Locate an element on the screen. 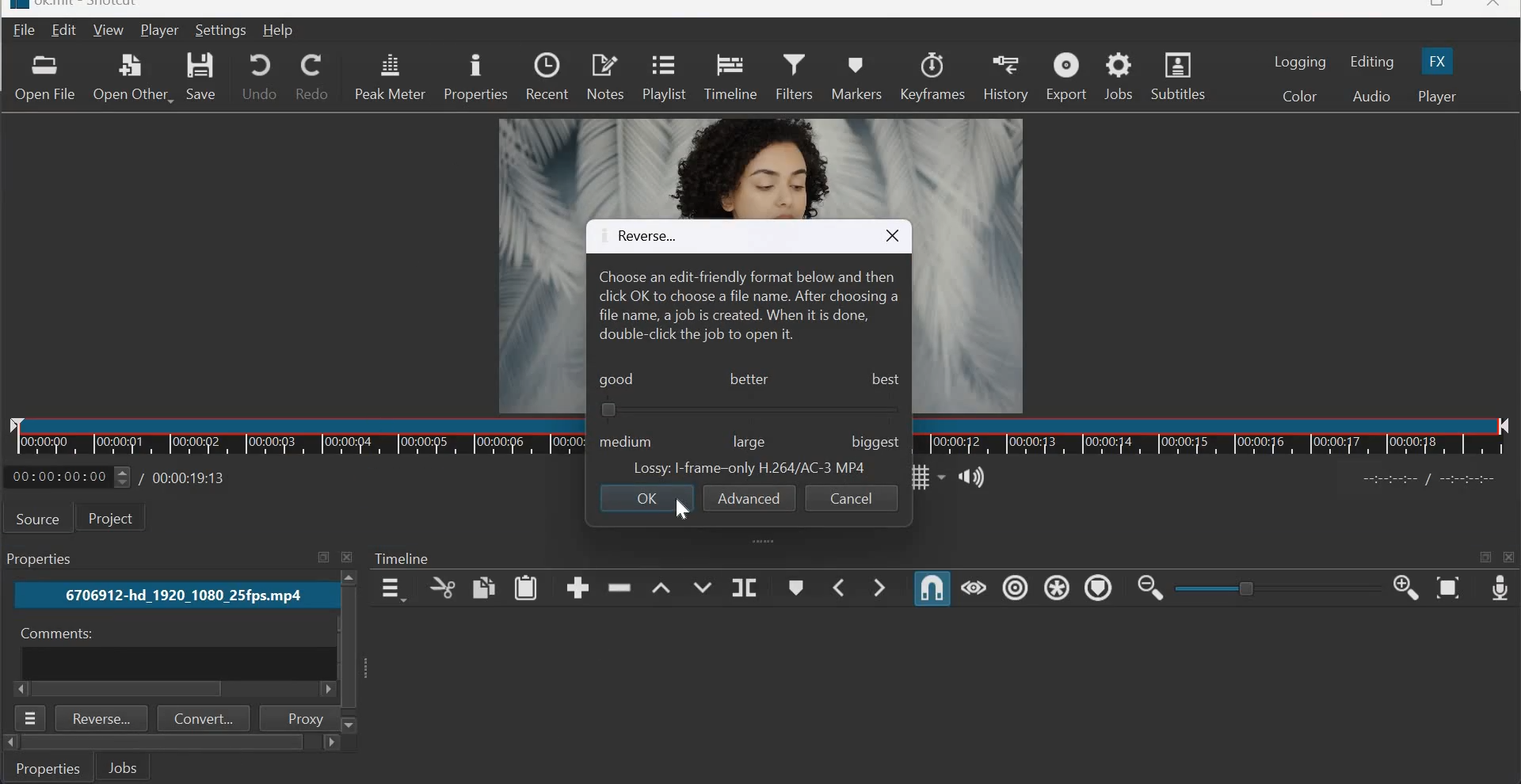 The image size is (1521, 784). toggle is located at coordinates (1248, 588).